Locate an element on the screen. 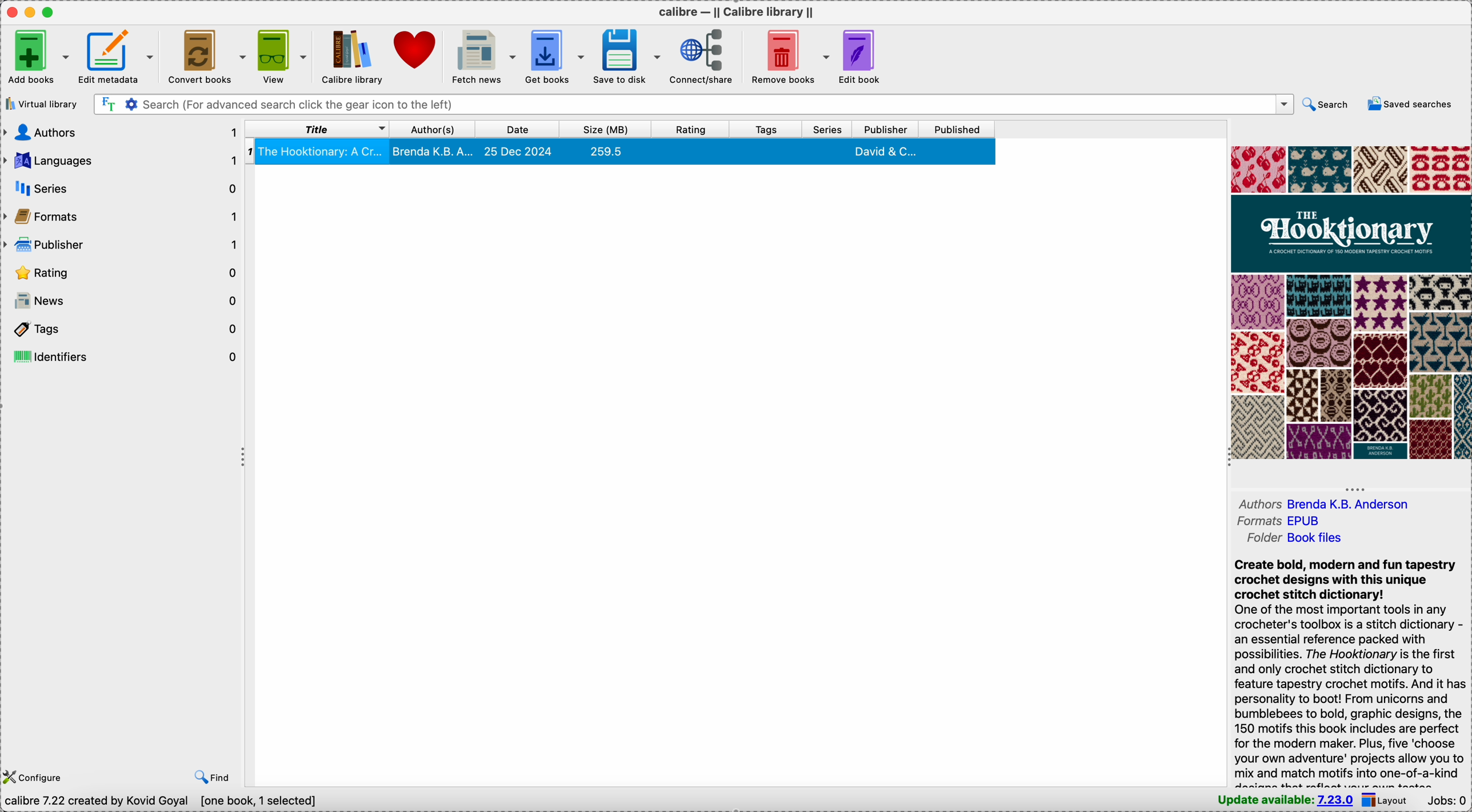 Image resolution: width=1472 pixels, height=812 pixels. connect/share is located at coordinates (705, 54).